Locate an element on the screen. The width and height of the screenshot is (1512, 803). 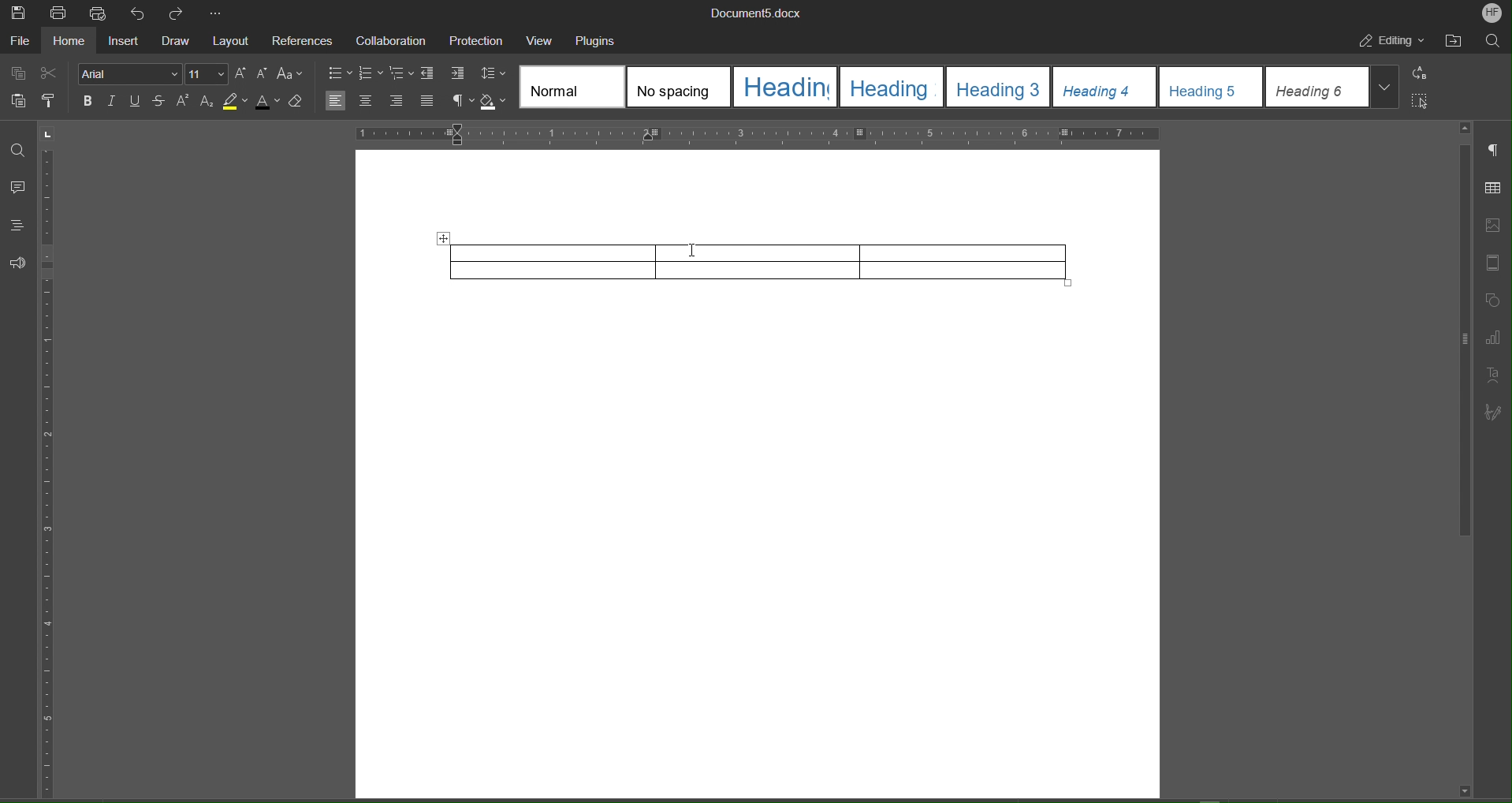
Select All is located at coordinates (1424, 101).